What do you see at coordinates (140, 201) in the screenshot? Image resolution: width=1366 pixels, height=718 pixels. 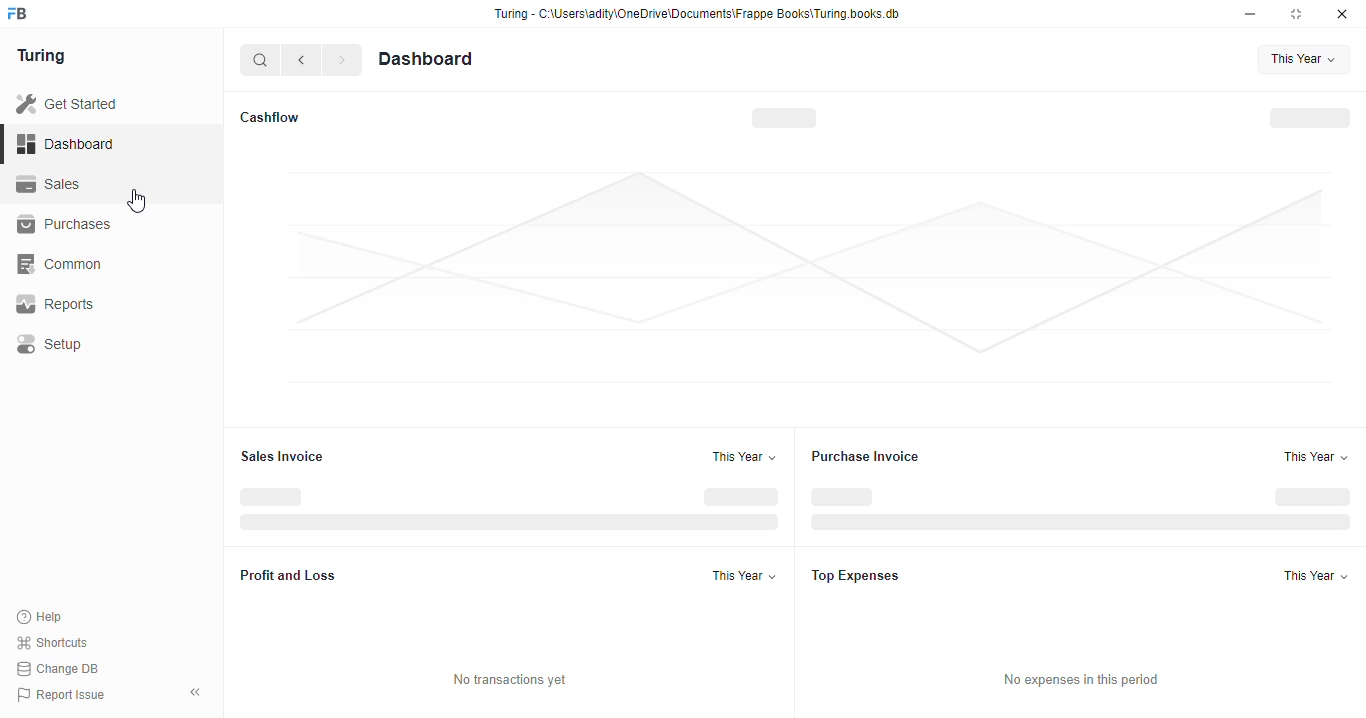 I see `cursor` at bounding box center [140, 201].